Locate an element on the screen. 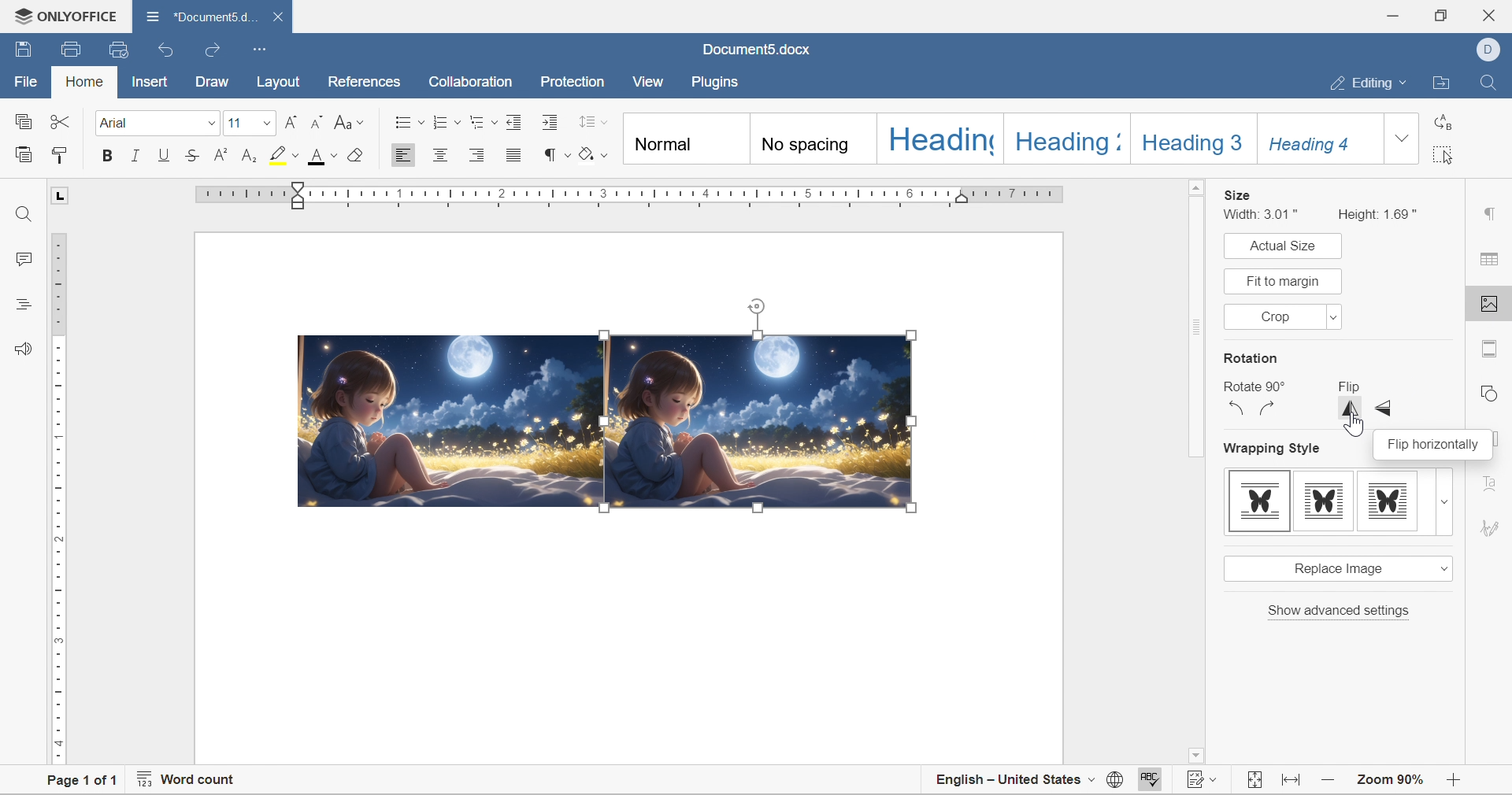 The height and width of the screenshot is (795, 1512). drop down is located at coordinates (210, 124).